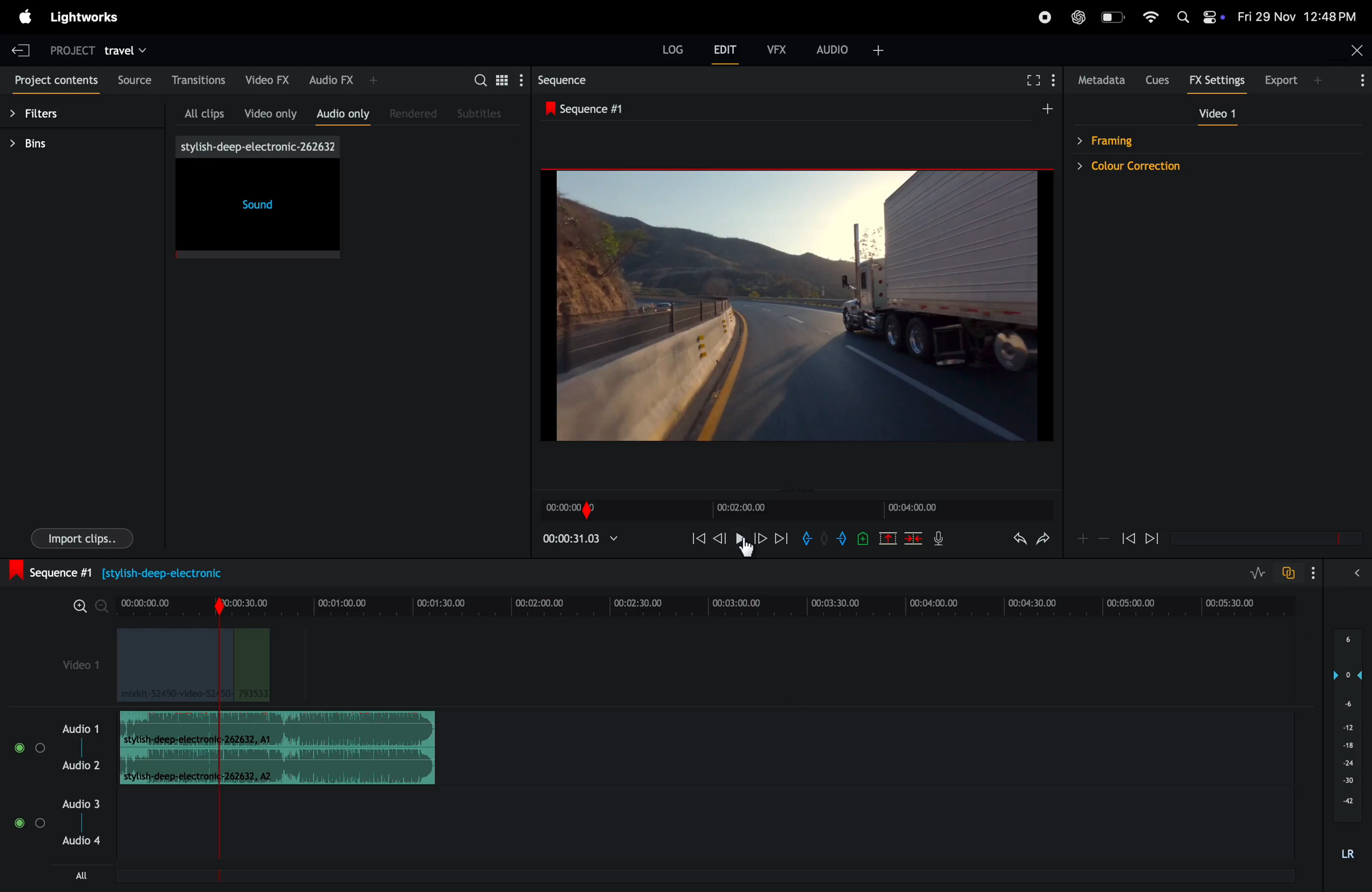 This screenshot has height=892, width=1372. I want to click on zoom in, so click(1084, 538).